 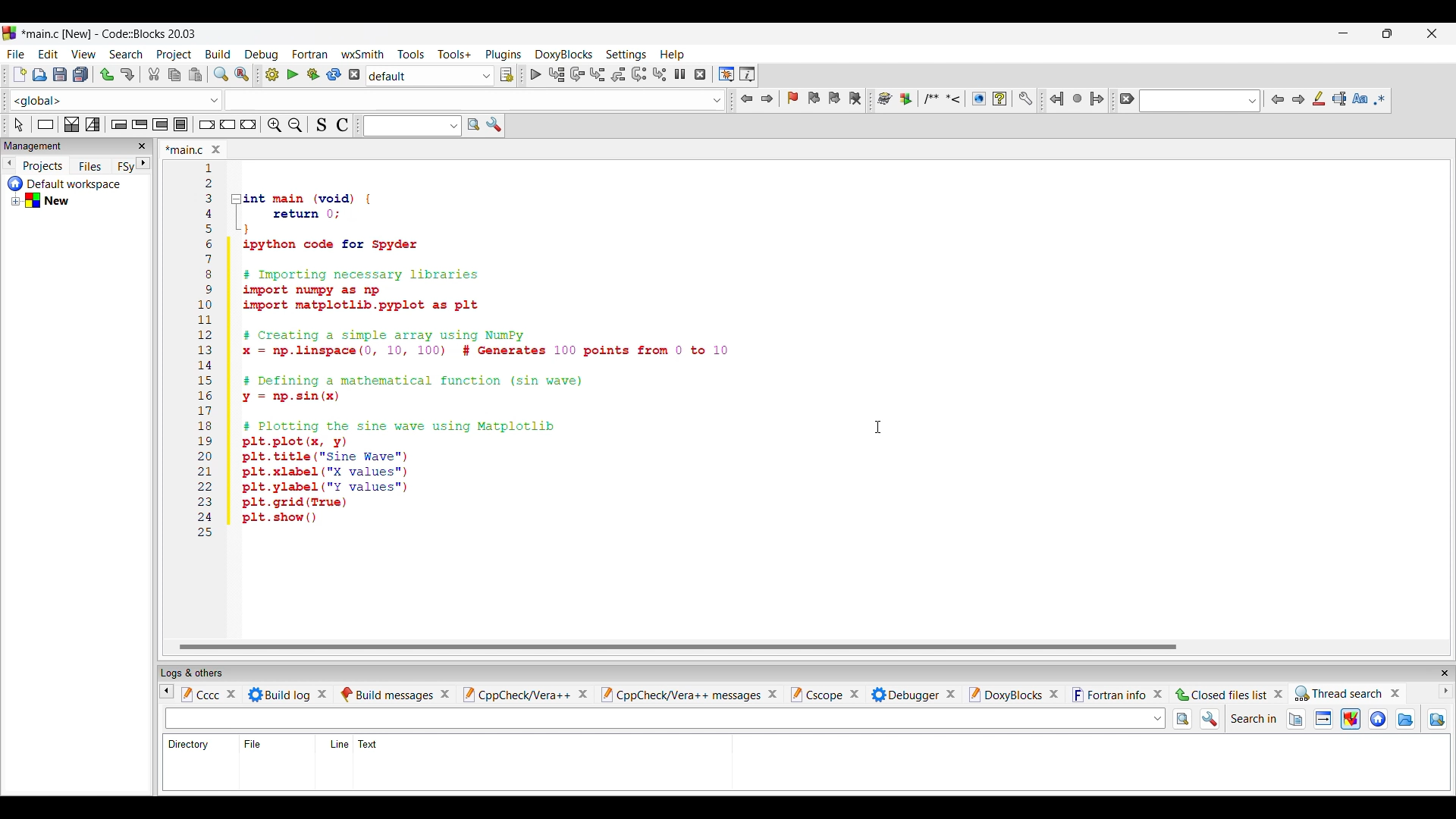 What do you see at coordinates (209, 124) in the screenshot?
I see `Break instruction` at bounding box center [209, 124].